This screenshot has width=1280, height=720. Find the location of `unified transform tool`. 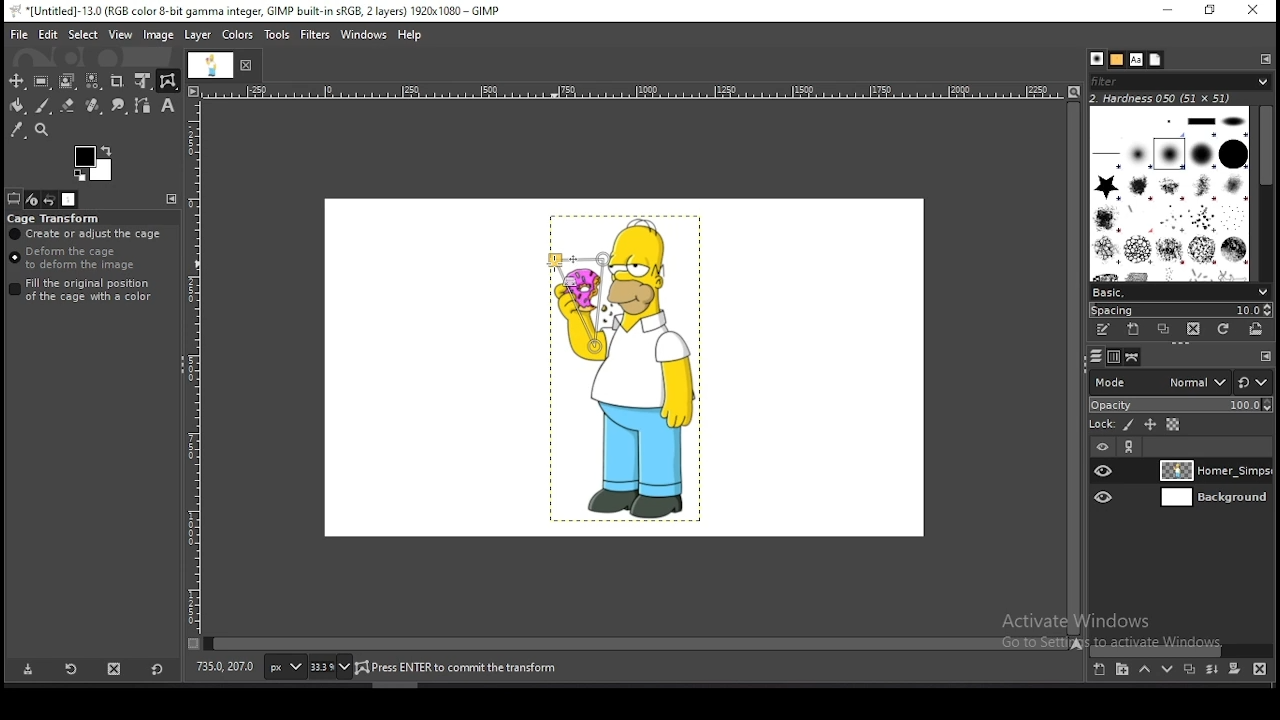

unified transform tool is located at coordinates (143, 81).